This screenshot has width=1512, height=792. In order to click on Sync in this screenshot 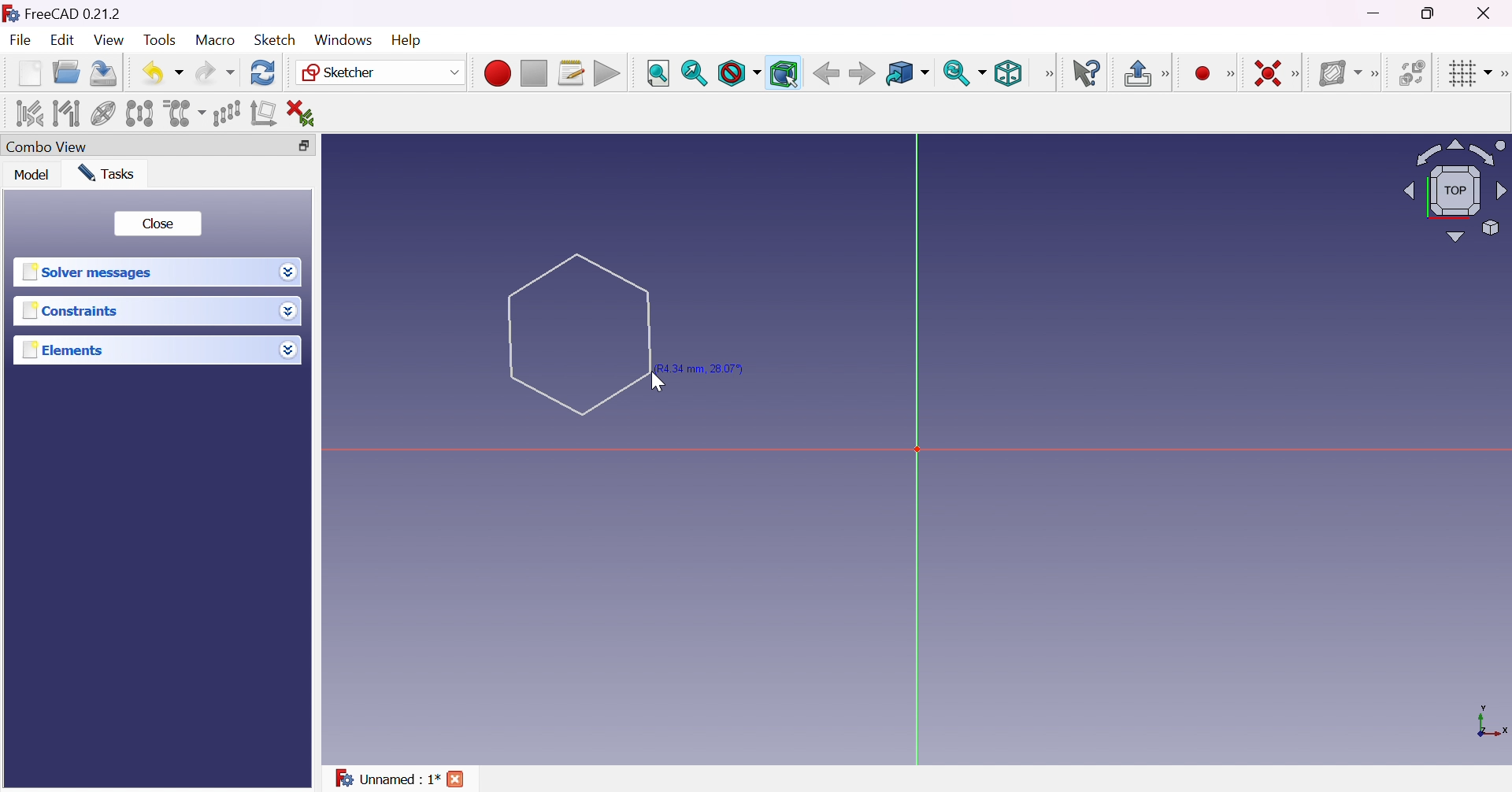, I will do `click(964, 72)`.